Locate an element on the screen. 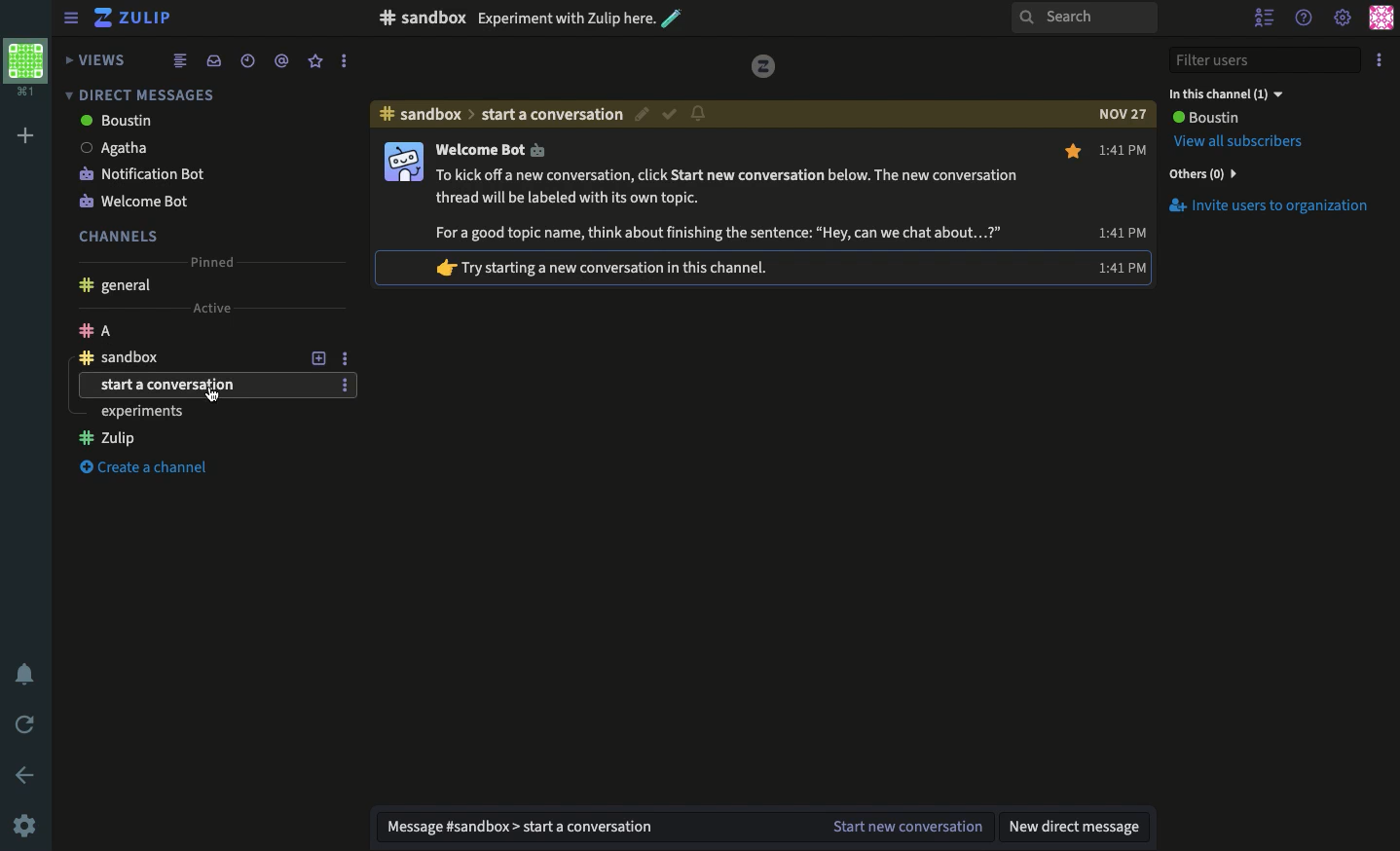 This screenshot has height=851, width=1400. Notification is located at coordinates (698, 112).